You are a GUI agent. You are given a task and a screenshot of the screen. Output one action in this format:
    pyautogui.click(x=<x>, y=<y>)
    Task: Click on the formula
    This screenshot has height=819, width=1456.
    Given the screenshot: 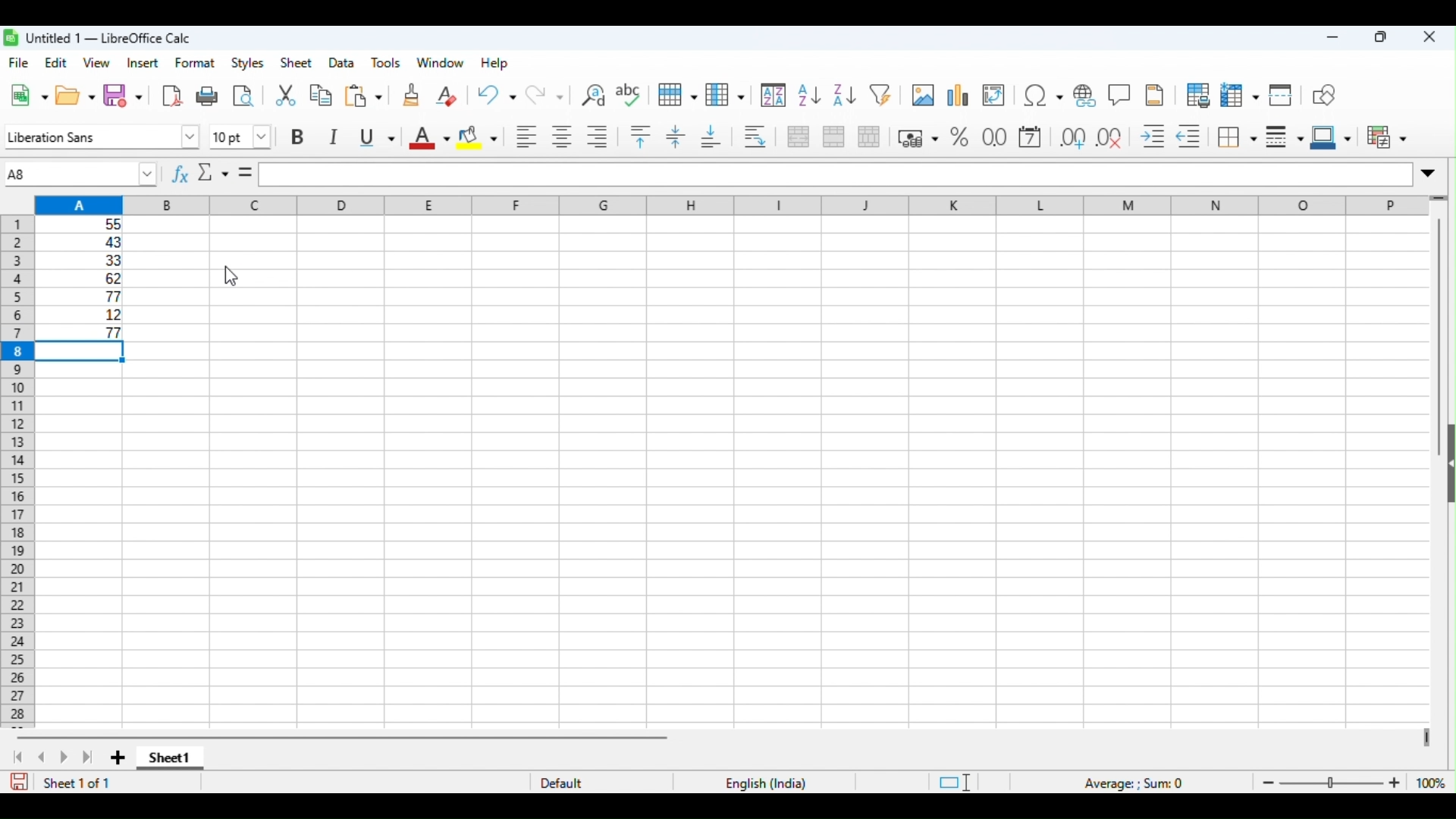 What is the action you would take?
    pyautogui.click(x=1136, y=783)
    